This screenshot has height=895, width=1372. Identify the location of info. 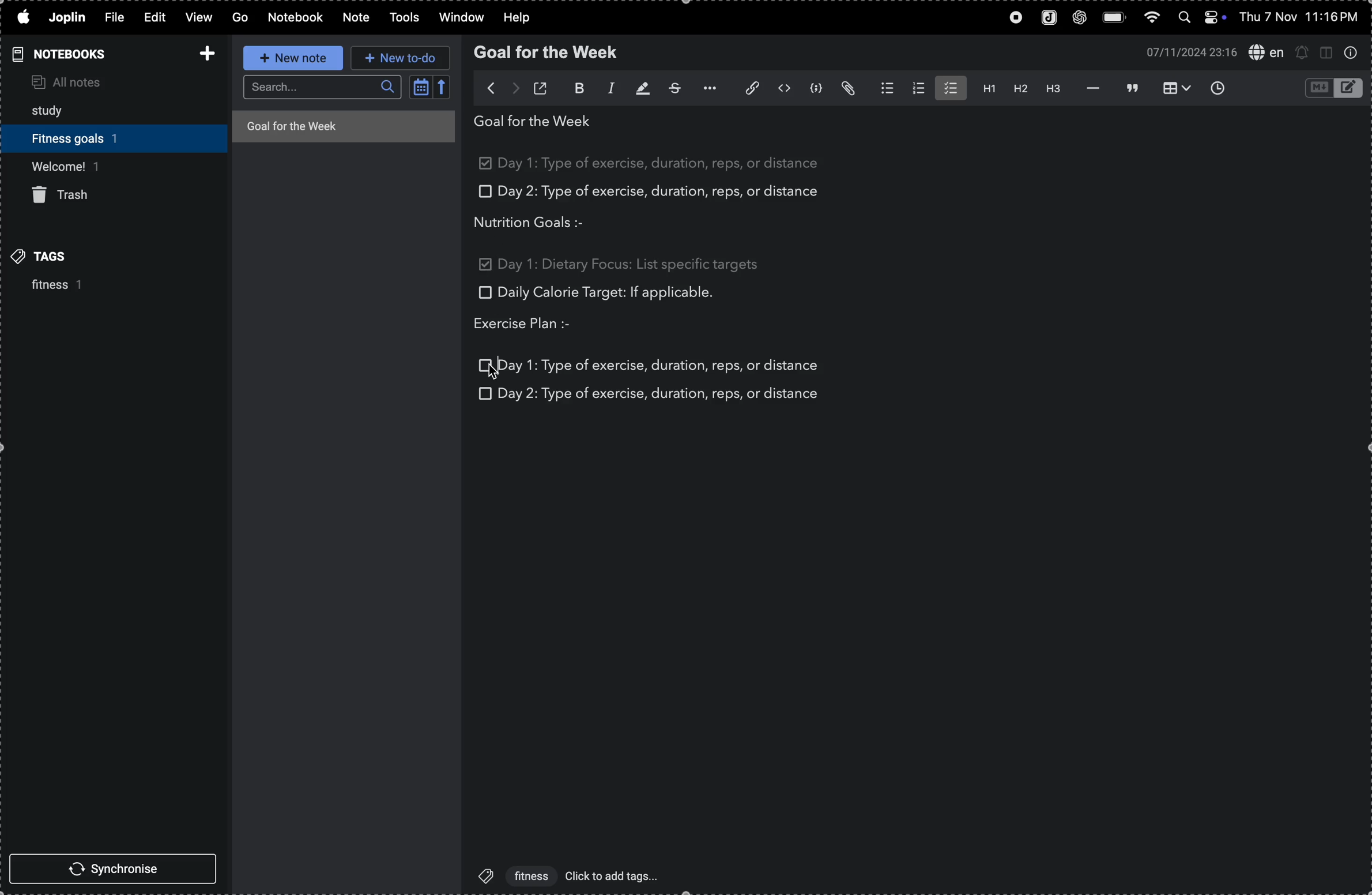
(1354, 54).